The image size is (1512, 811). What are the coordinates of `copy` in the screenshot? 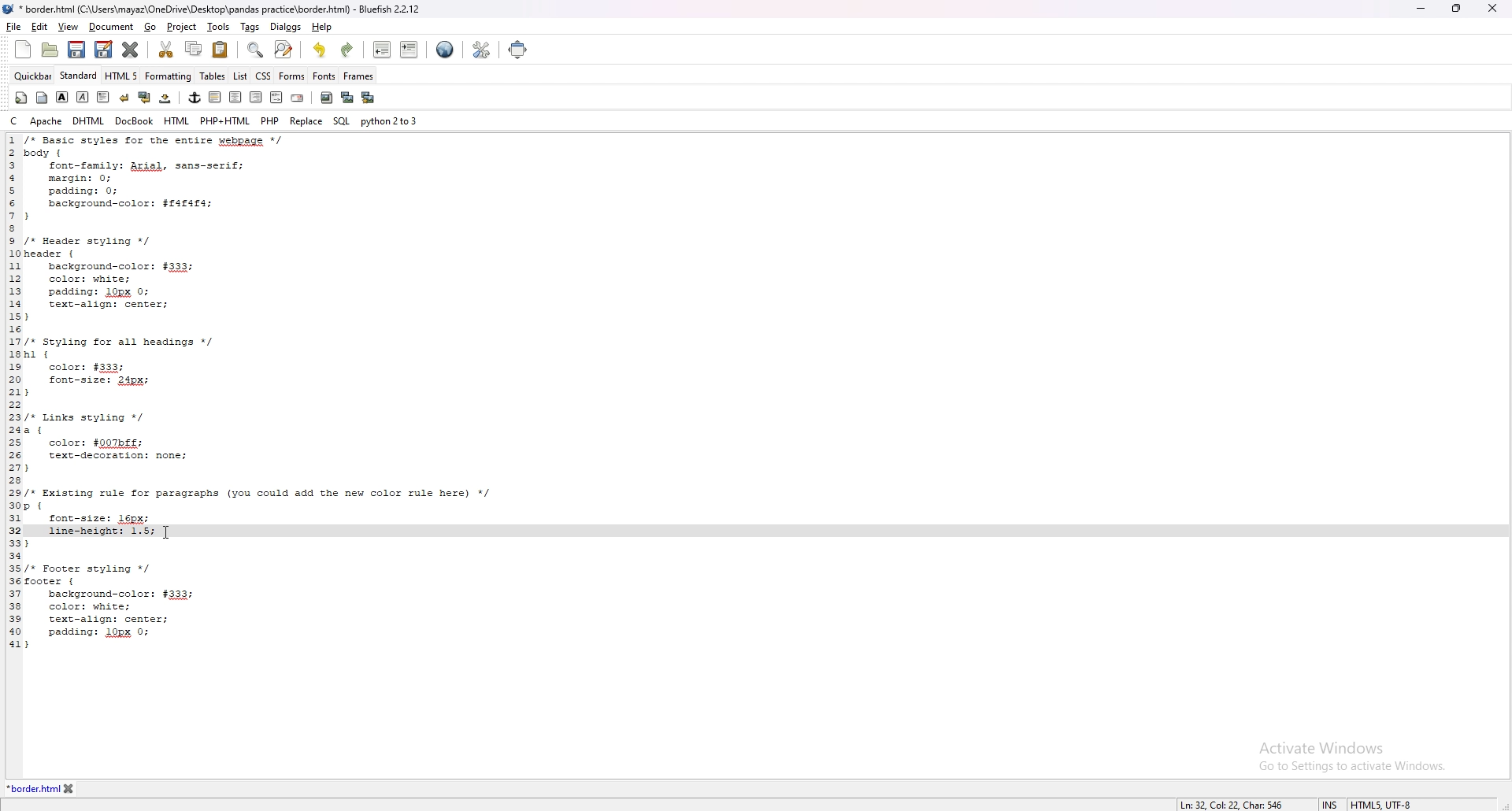 It's located at (192, 49).